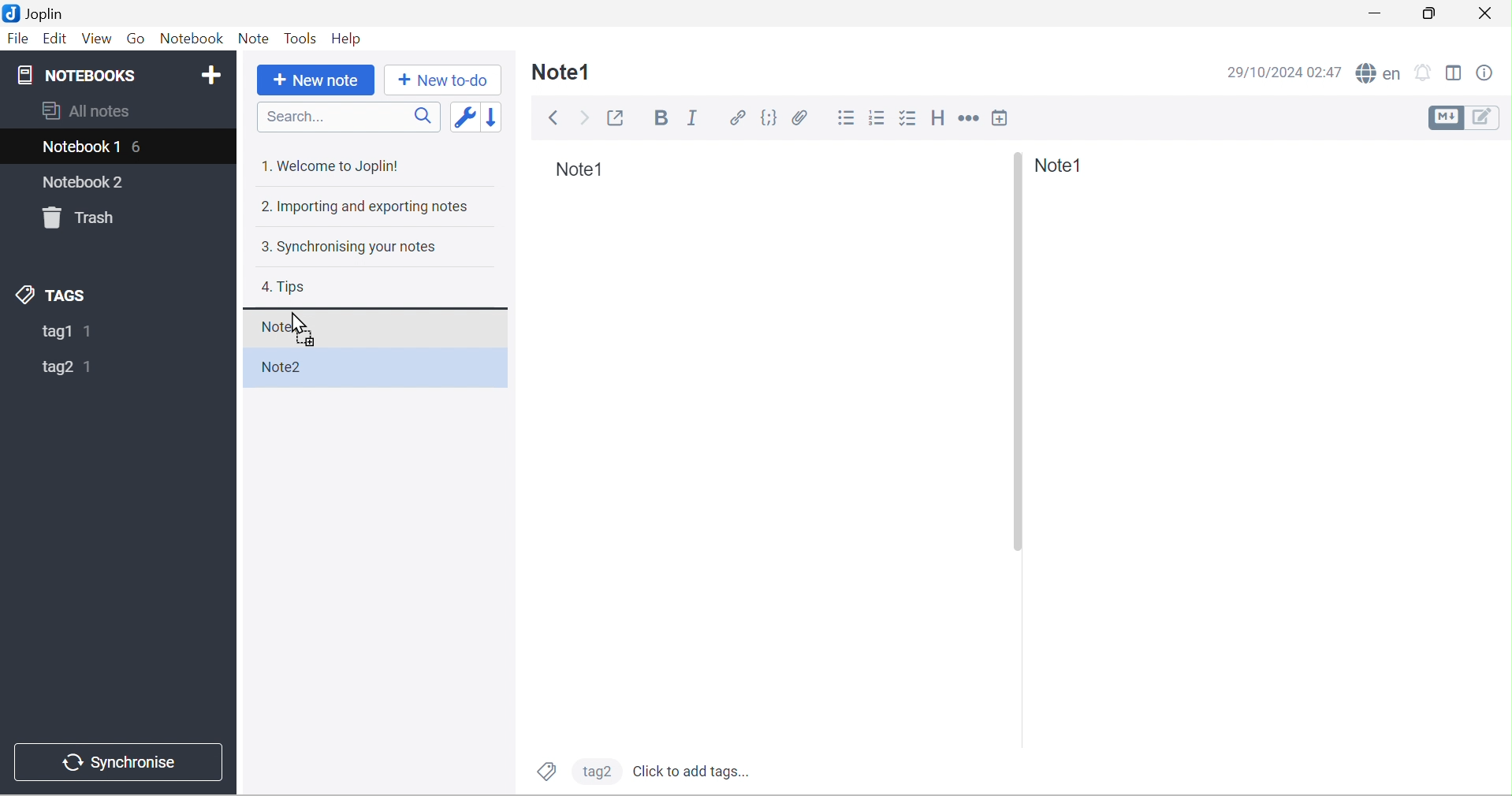 The width and height of the screenshot is (1512, 796). I want to click on Help, so click(352, 40).